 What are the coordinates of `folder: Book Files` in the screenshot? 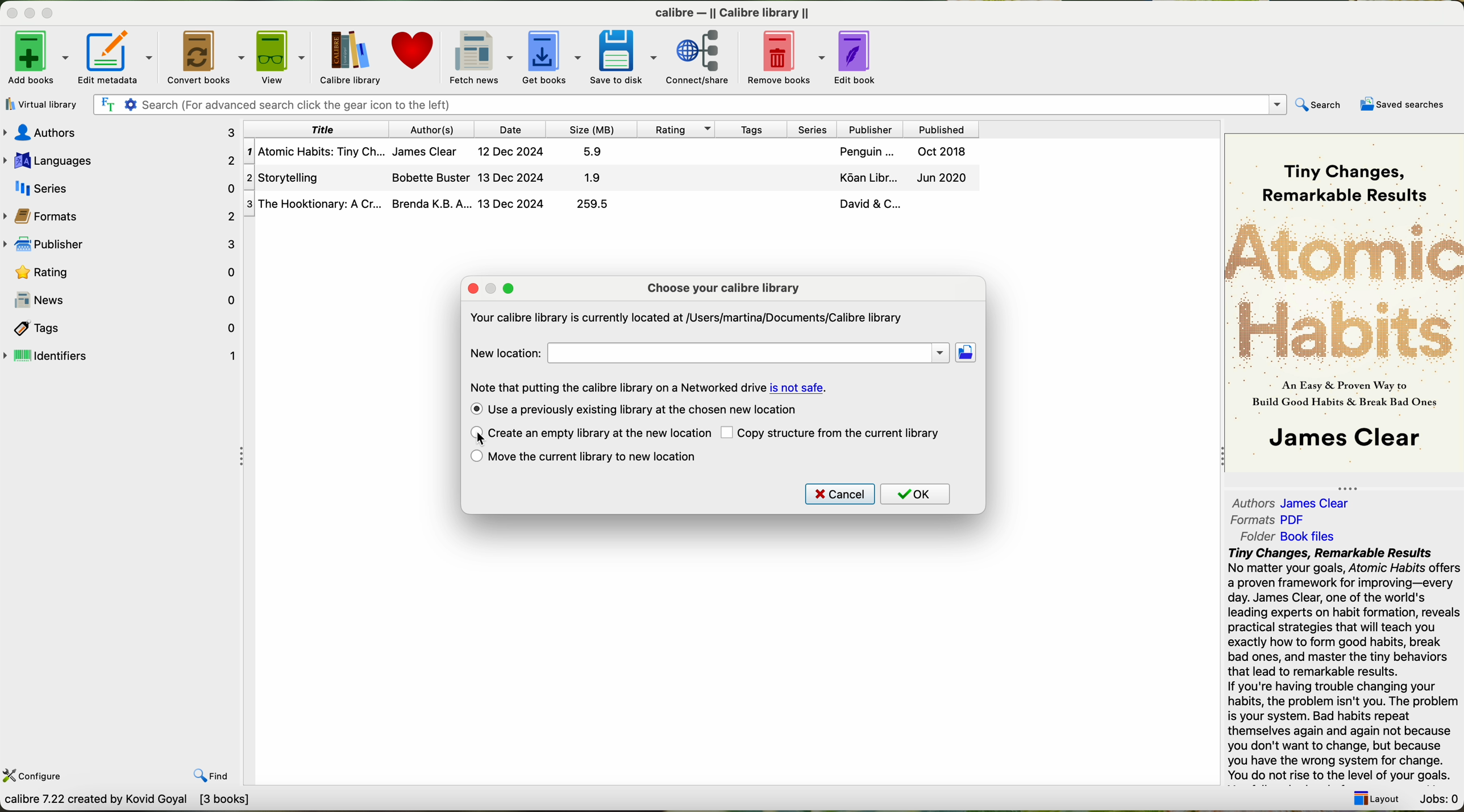 It's located at (1288, 536).